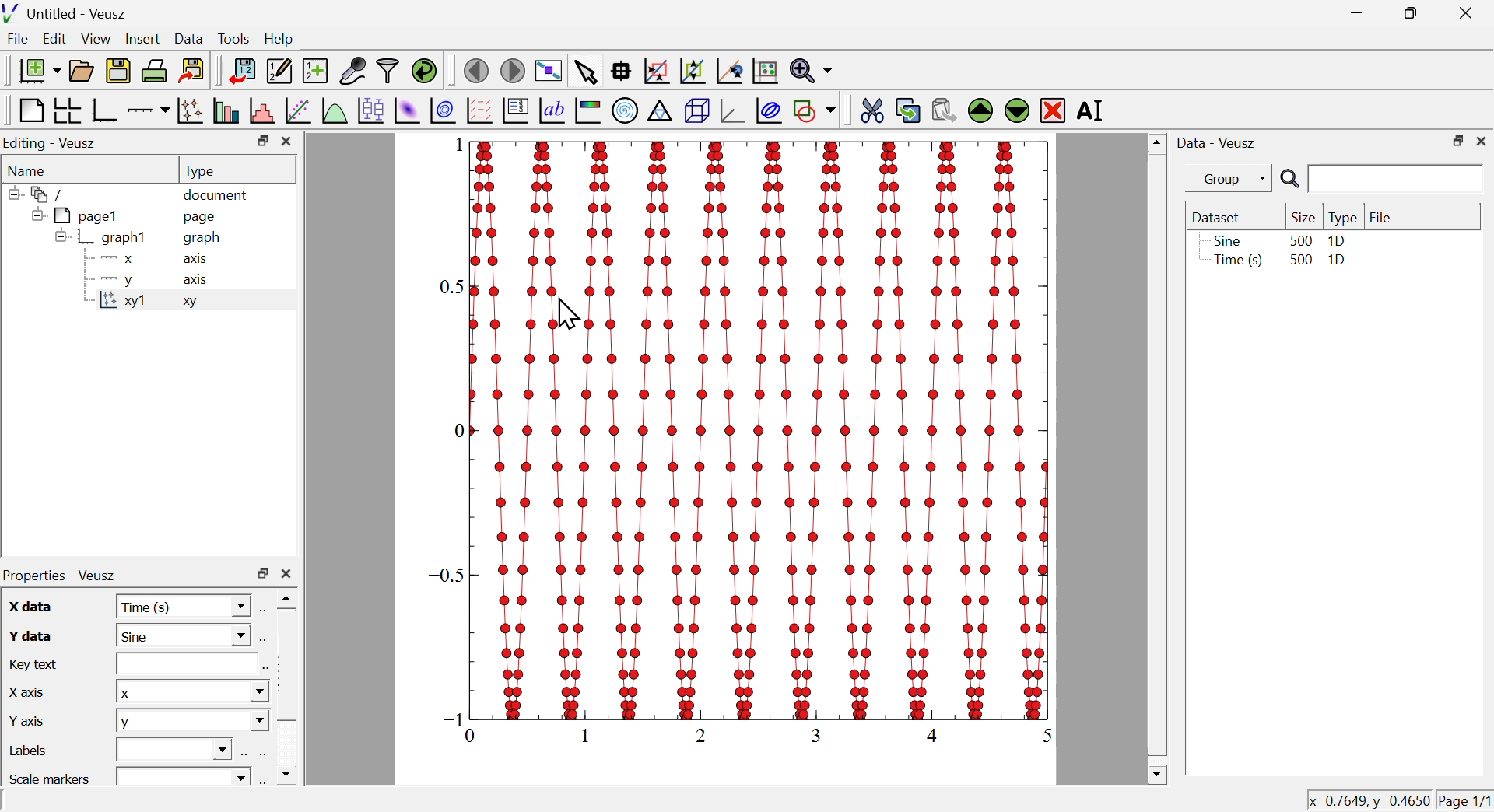 The image size is (1494, 812). I want to click on 3d graph, so click(732, 111).